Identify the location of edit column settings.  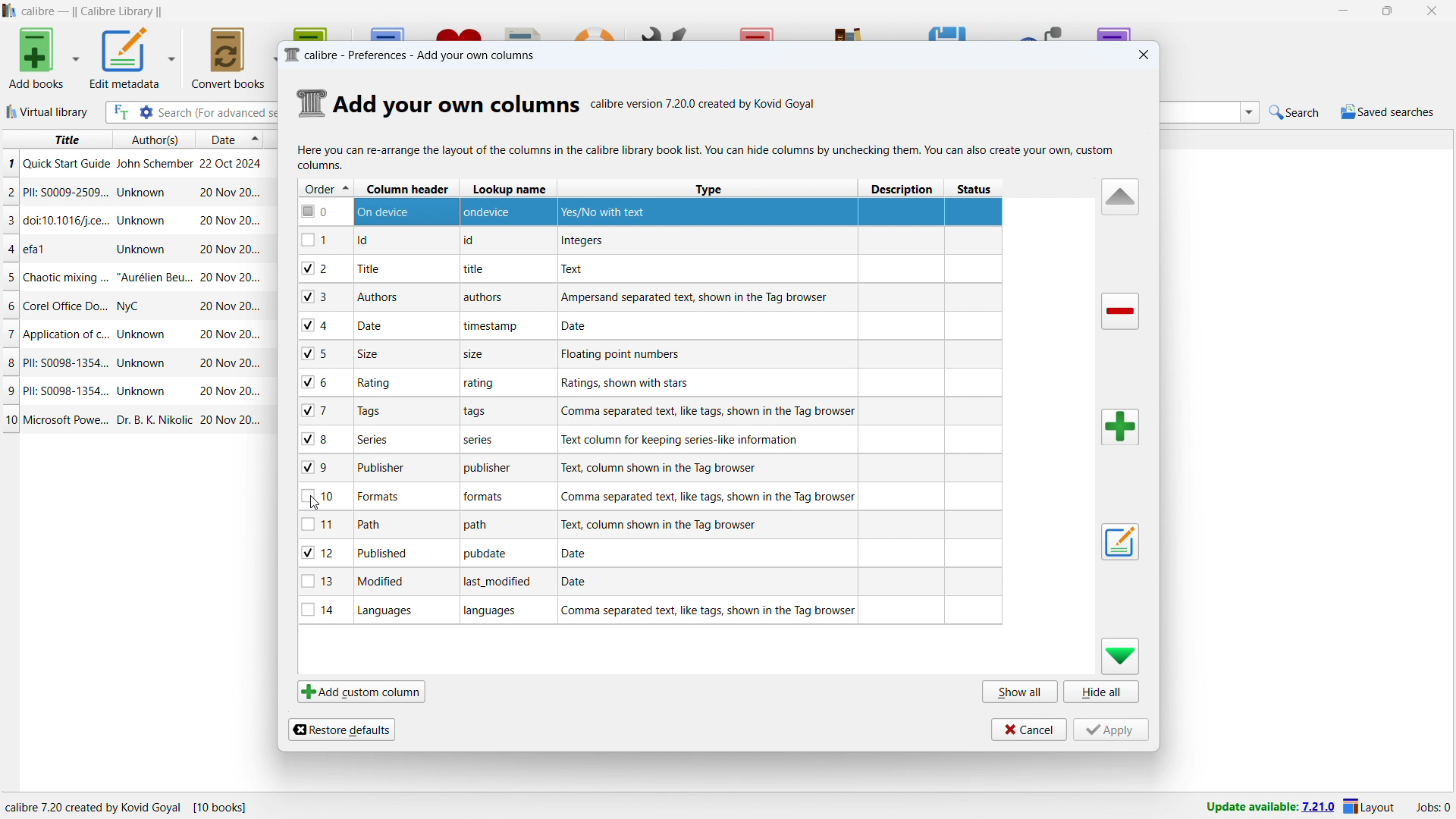
(1119, 541).